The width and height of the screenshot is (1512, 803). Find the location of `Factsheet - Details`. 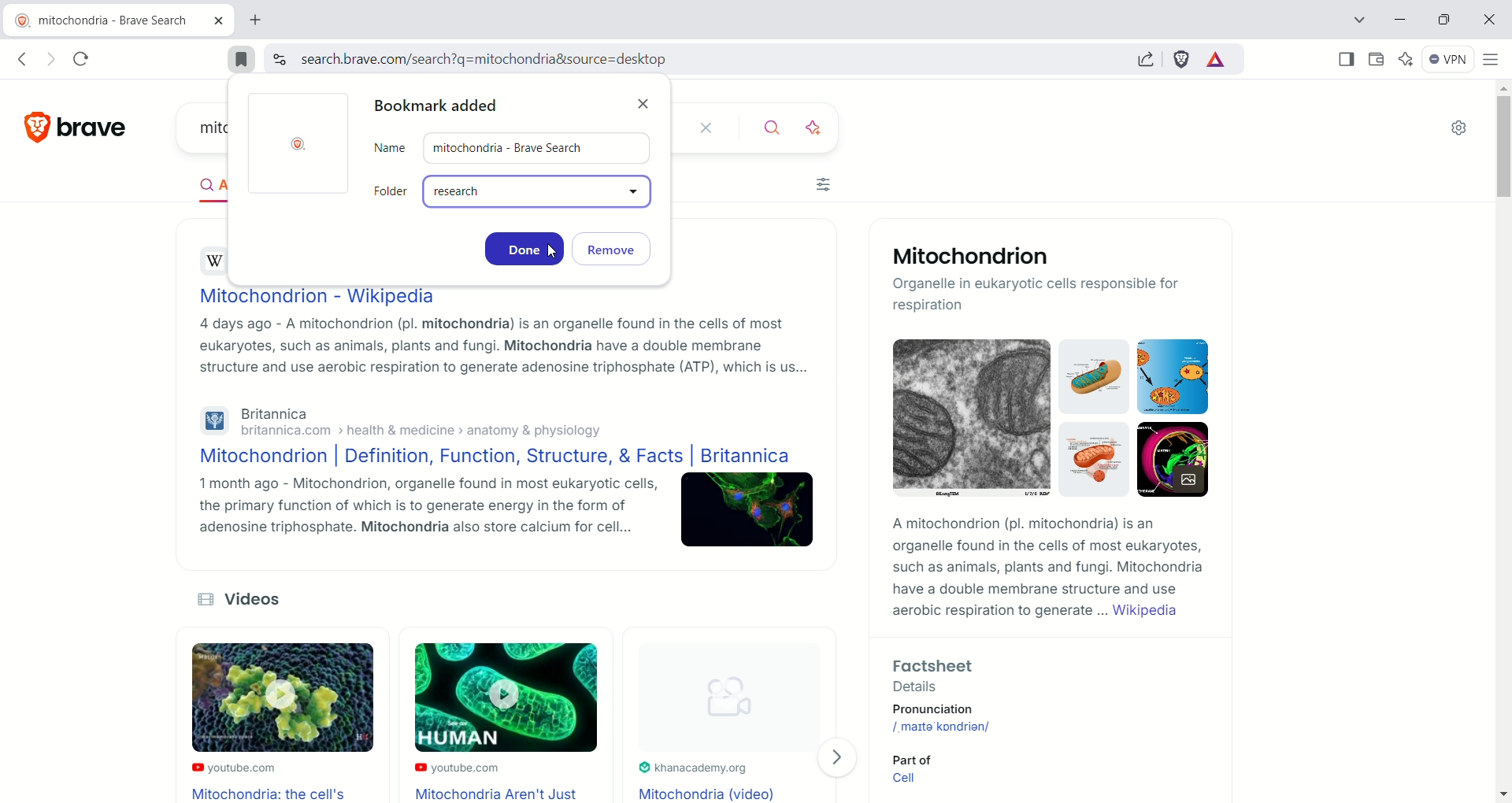

Factsheet - Details is located at coordinates (1036, 673).